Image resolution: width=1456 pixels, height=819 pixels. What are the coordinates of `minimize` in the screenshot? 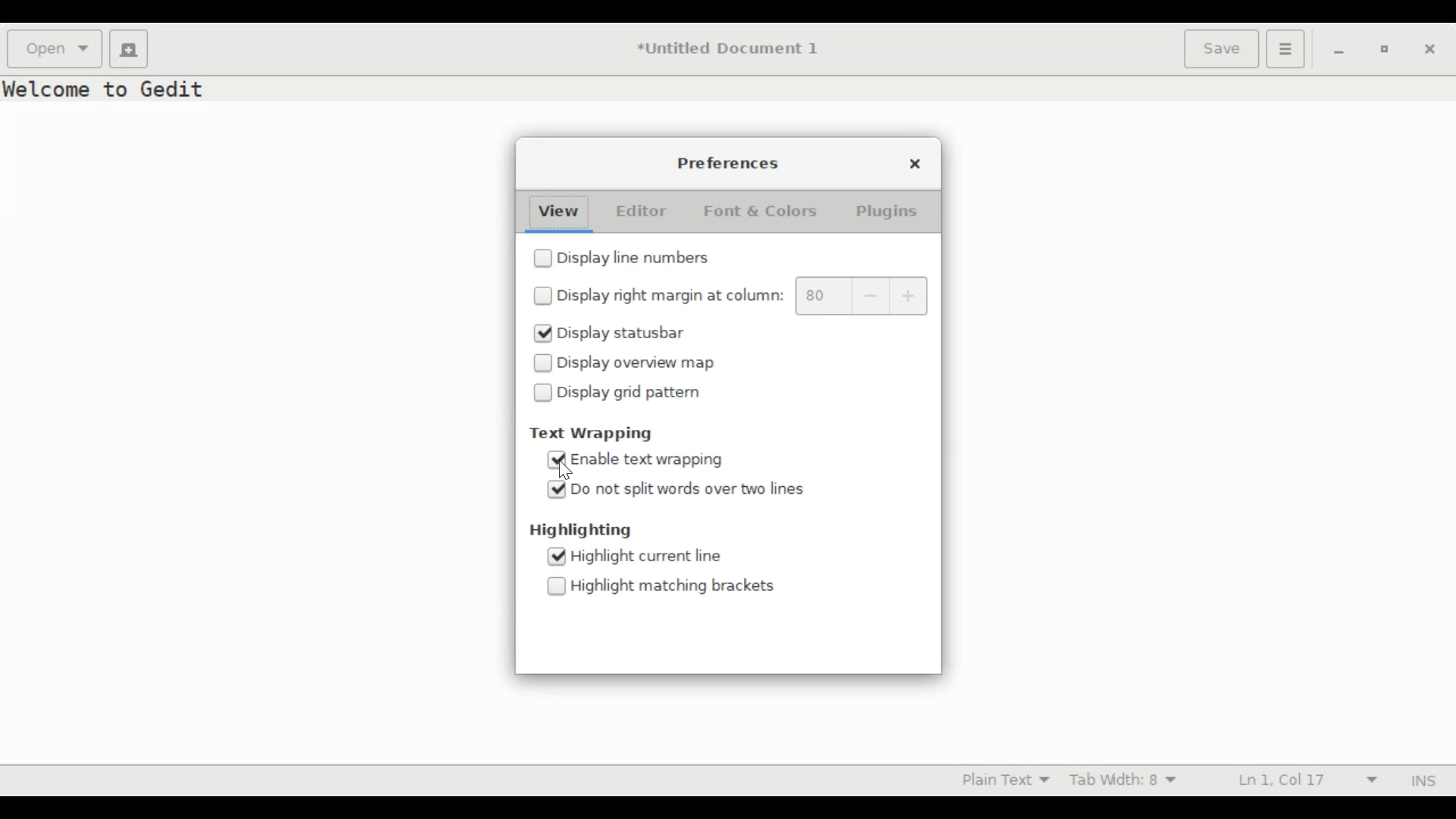 It's located at (1339, 52).